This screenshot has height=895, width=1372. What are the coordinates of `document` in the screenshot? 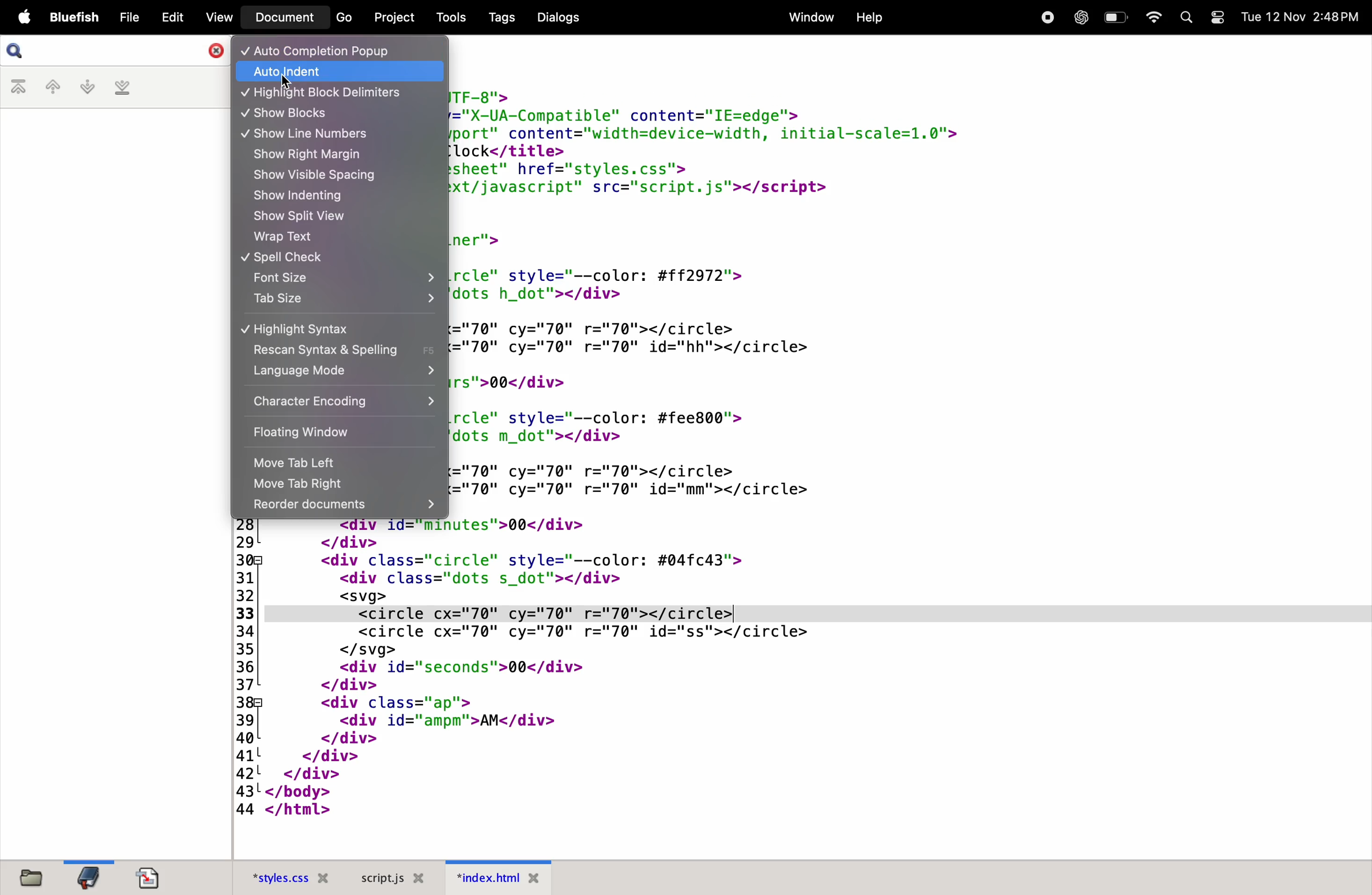 It's located at (281, 18).